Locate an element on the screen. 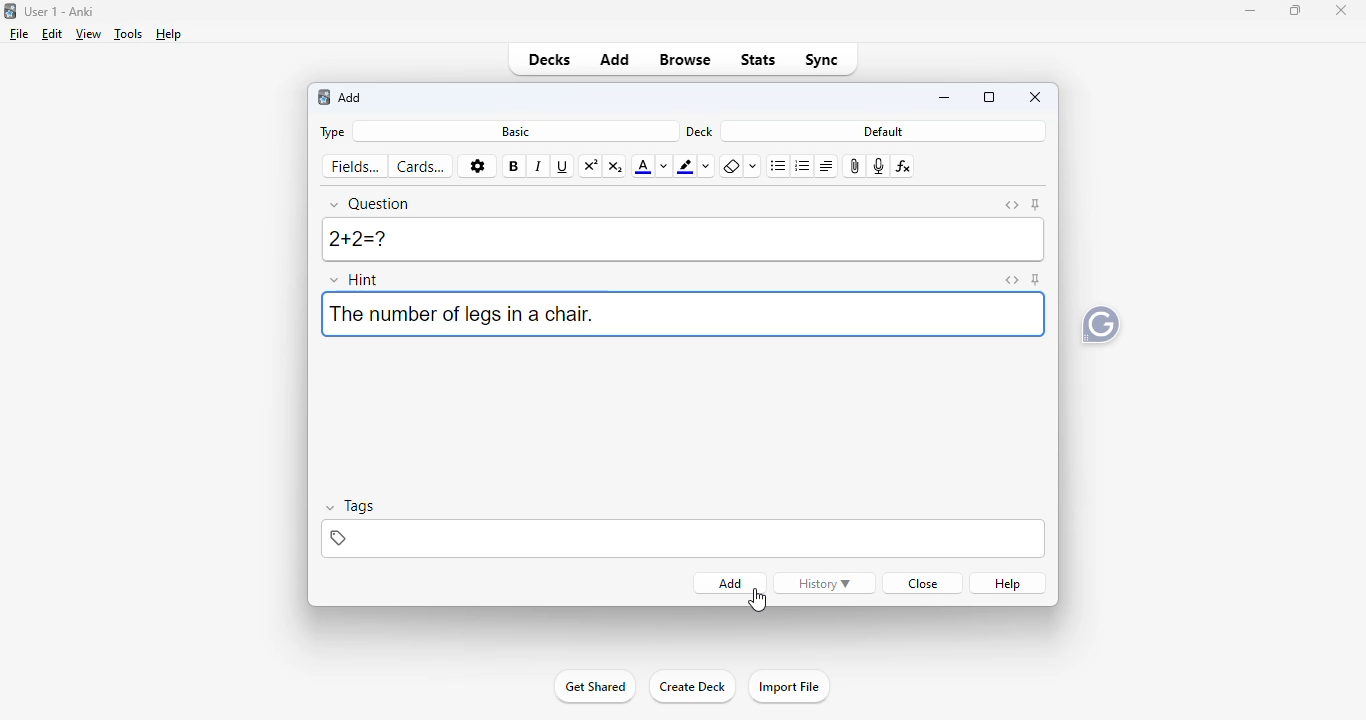  edit is located at coordinates (53, 34).